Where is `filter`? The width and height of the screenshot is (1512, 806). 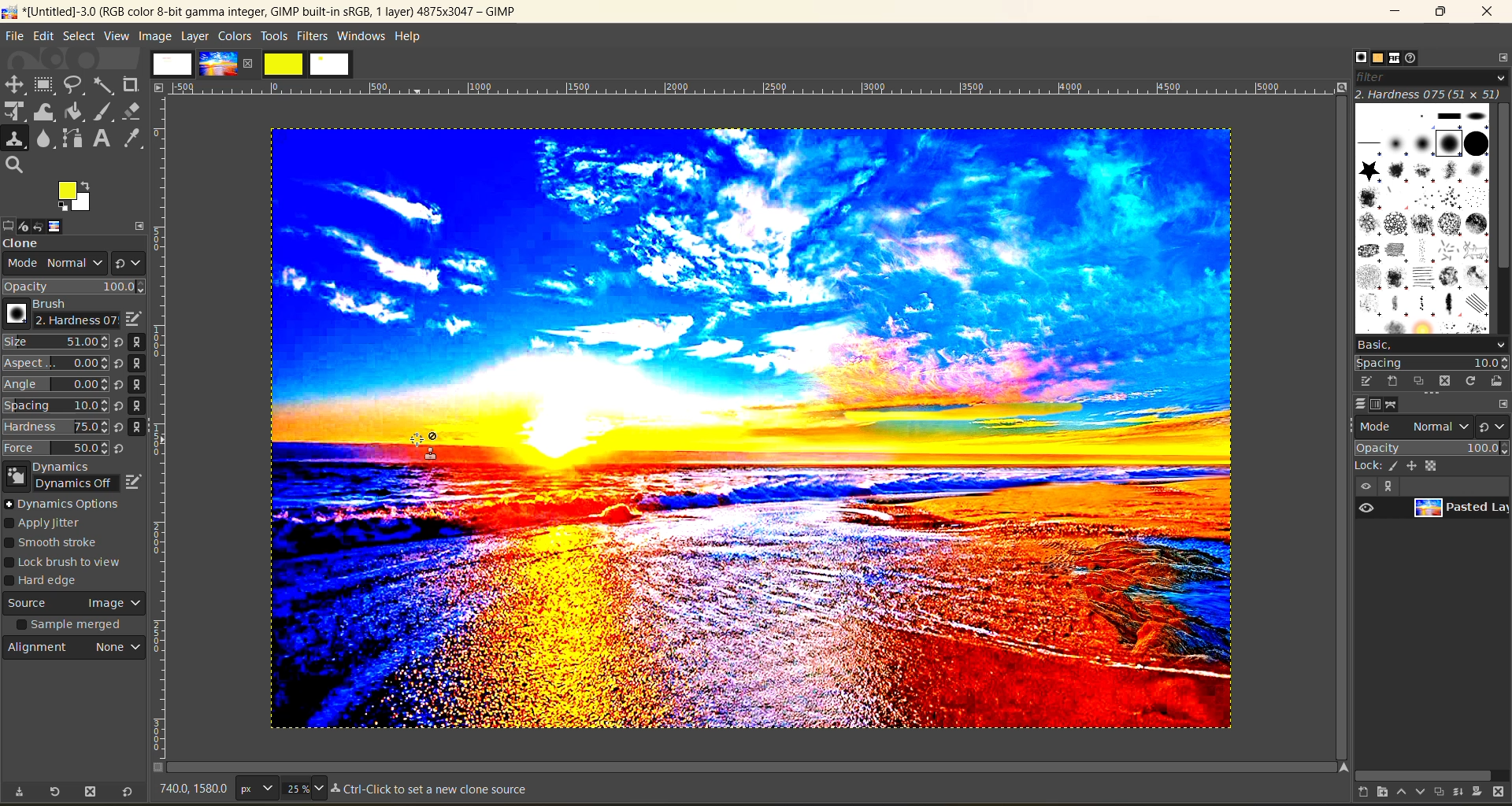 filter is located at coordinates (1429, 76).